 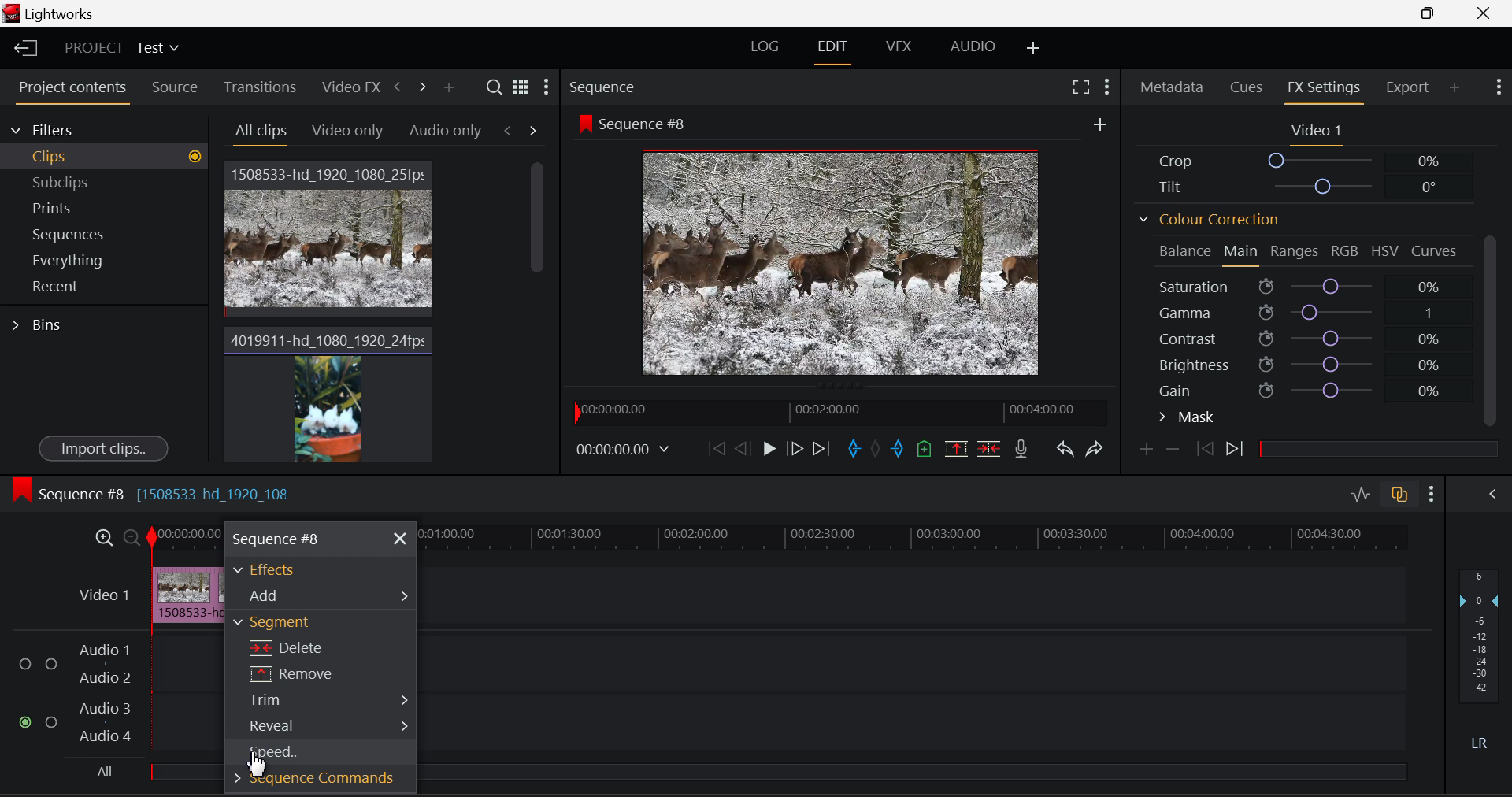 I want to click on Segment Section, so click(x=288, y=625).